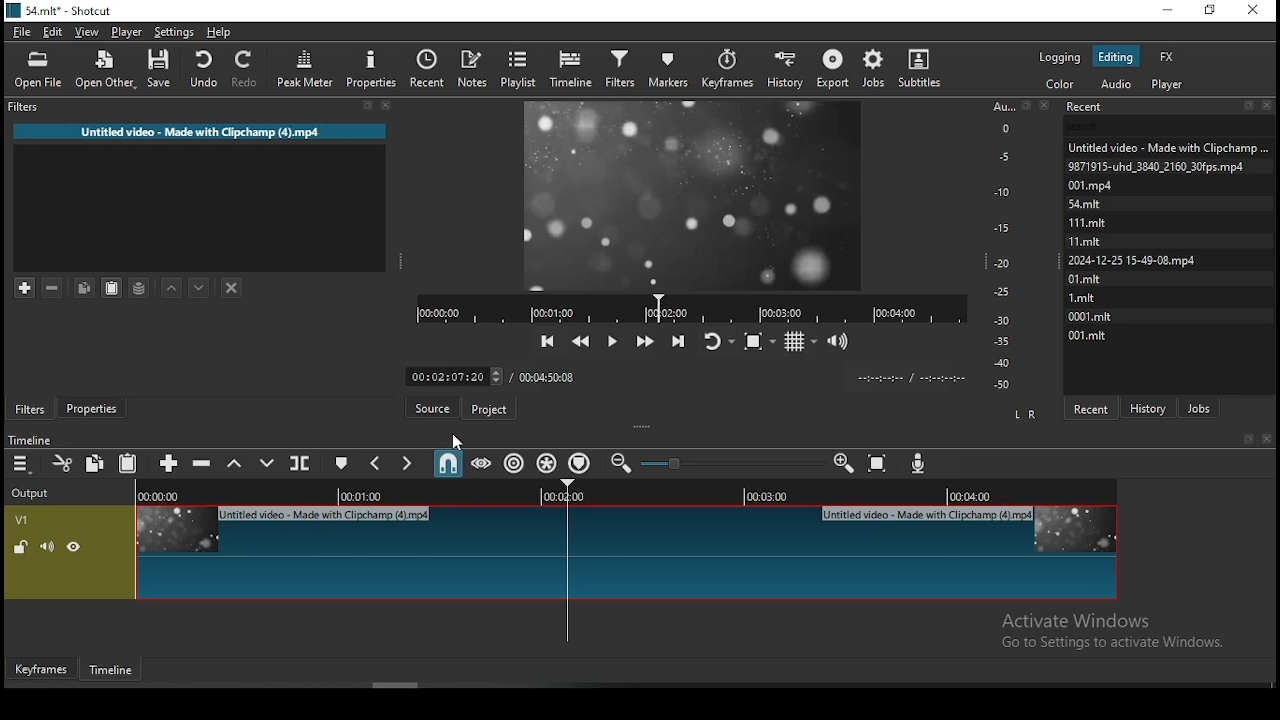 The height and width of the screenshot is (720, 1280). What do you see at coordinates (75, 546) in the screenshot?
I see `(un)hide` at bounding box center [75, 546].